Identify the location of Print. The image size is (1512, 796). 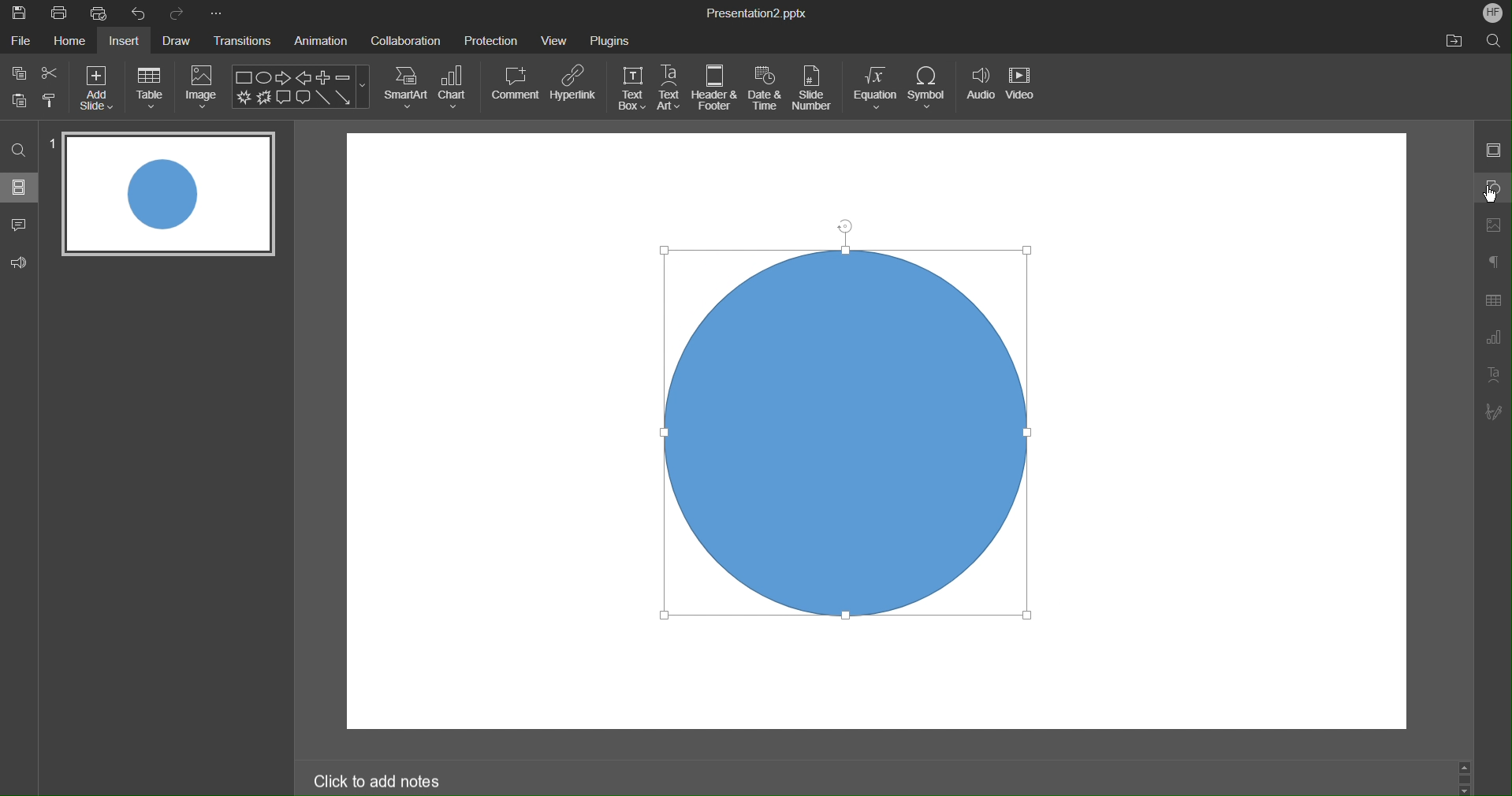
(59, 14).